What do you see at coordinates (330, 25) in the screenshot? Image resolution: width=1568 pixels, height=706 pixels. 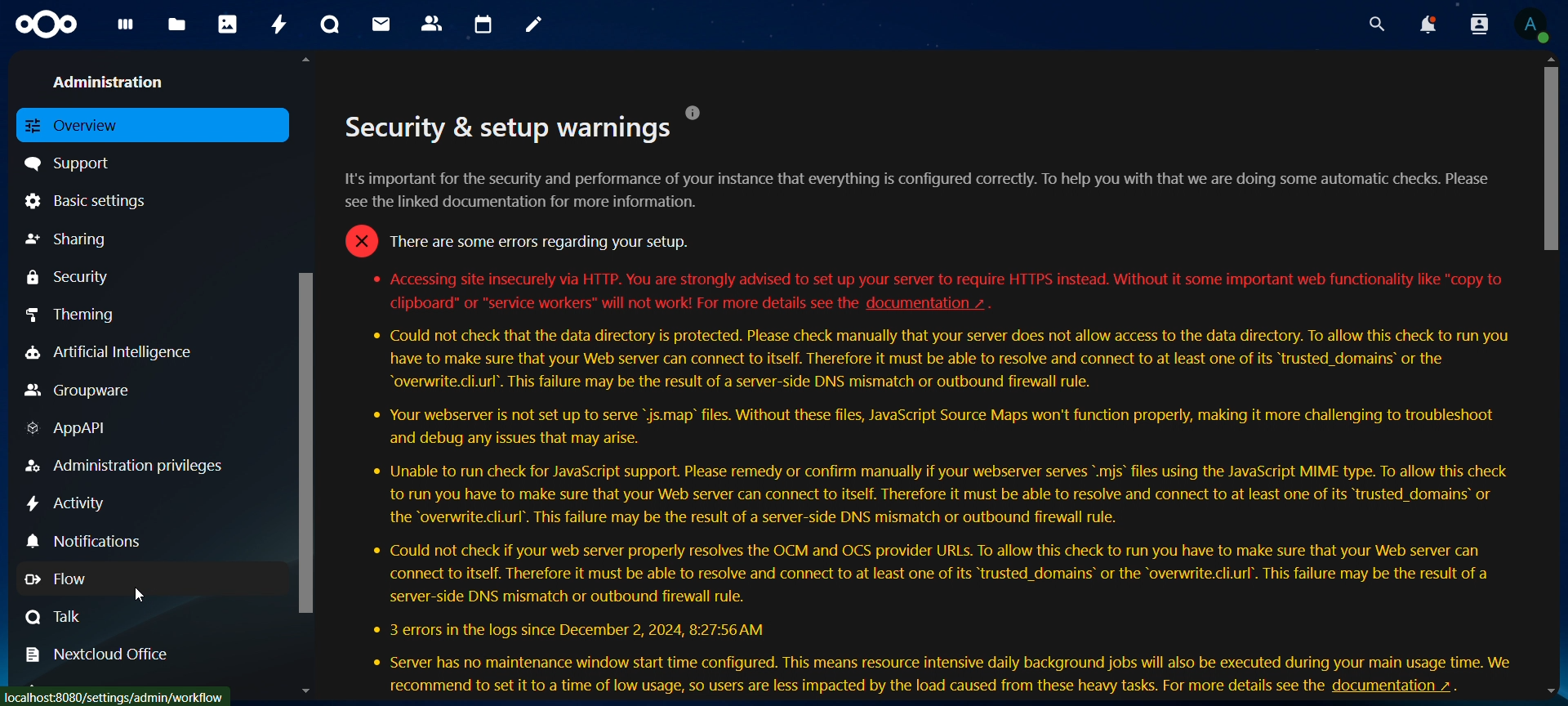 I see `talk` at bounding box center [330, 25].